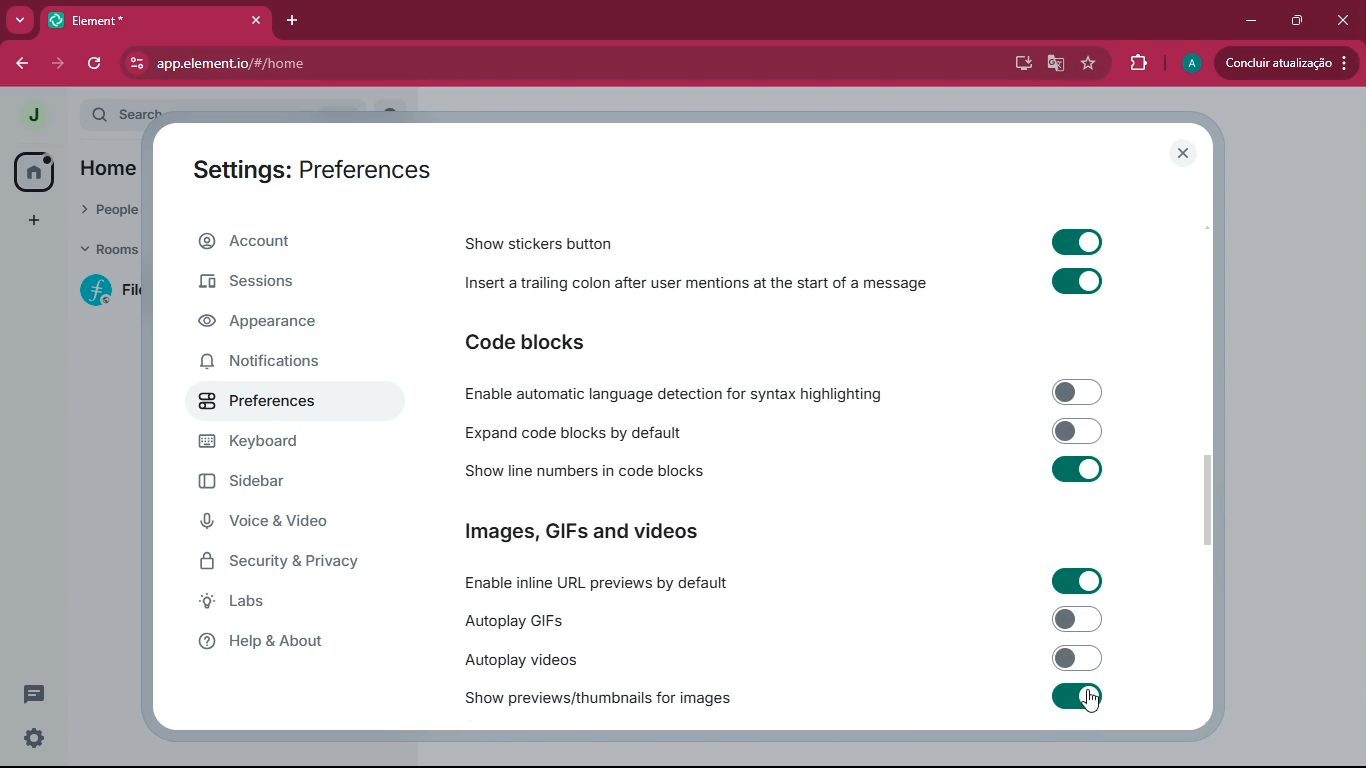  What do you see at coordinates (1300, 22) in the screenshot?
I see `maximize` at bounding box center [1300, 22].